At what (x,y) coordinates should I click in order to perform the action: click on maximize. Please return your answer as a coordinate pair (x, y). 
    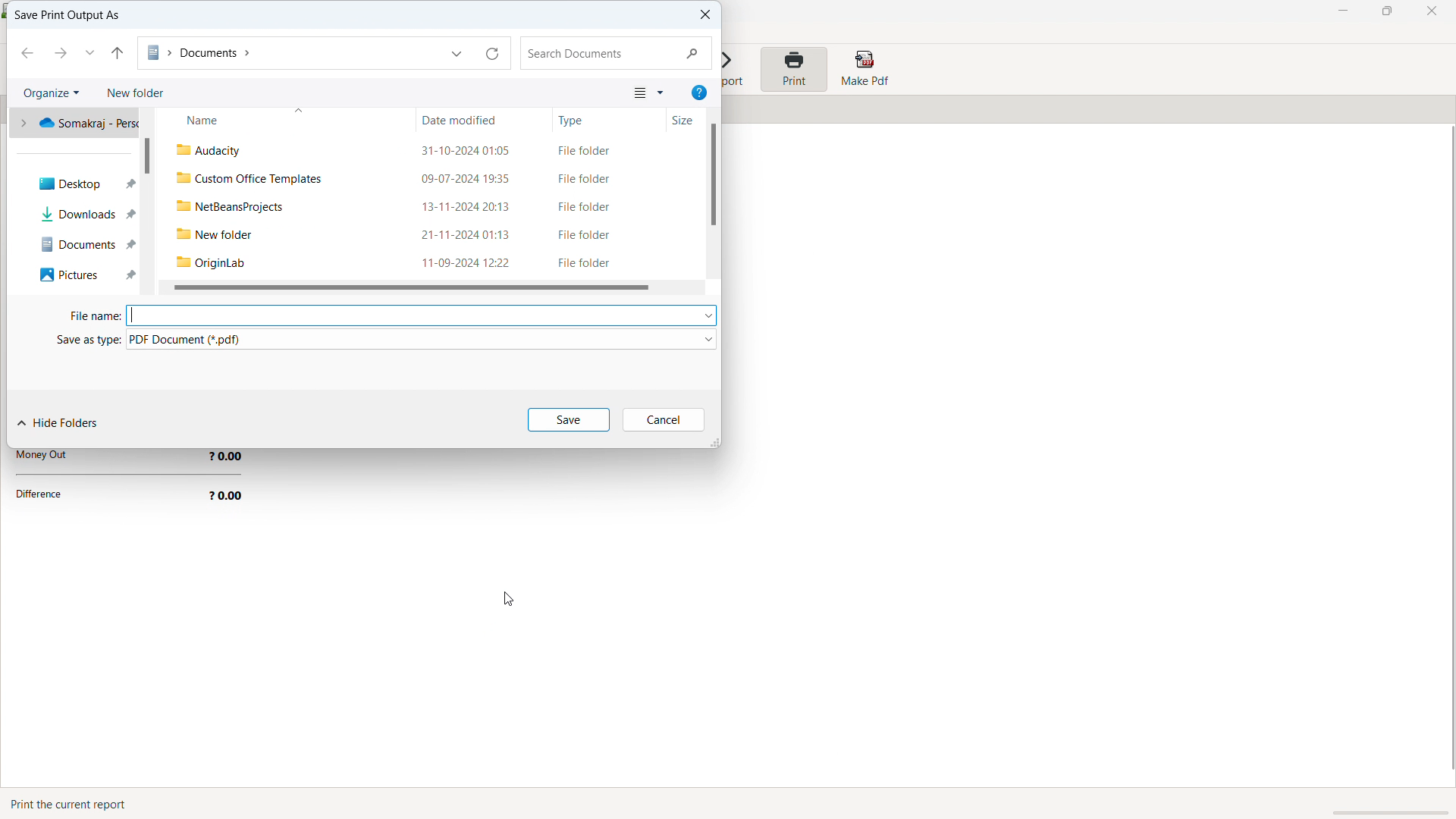
    Looking at the image, I should click on (1386, 11).